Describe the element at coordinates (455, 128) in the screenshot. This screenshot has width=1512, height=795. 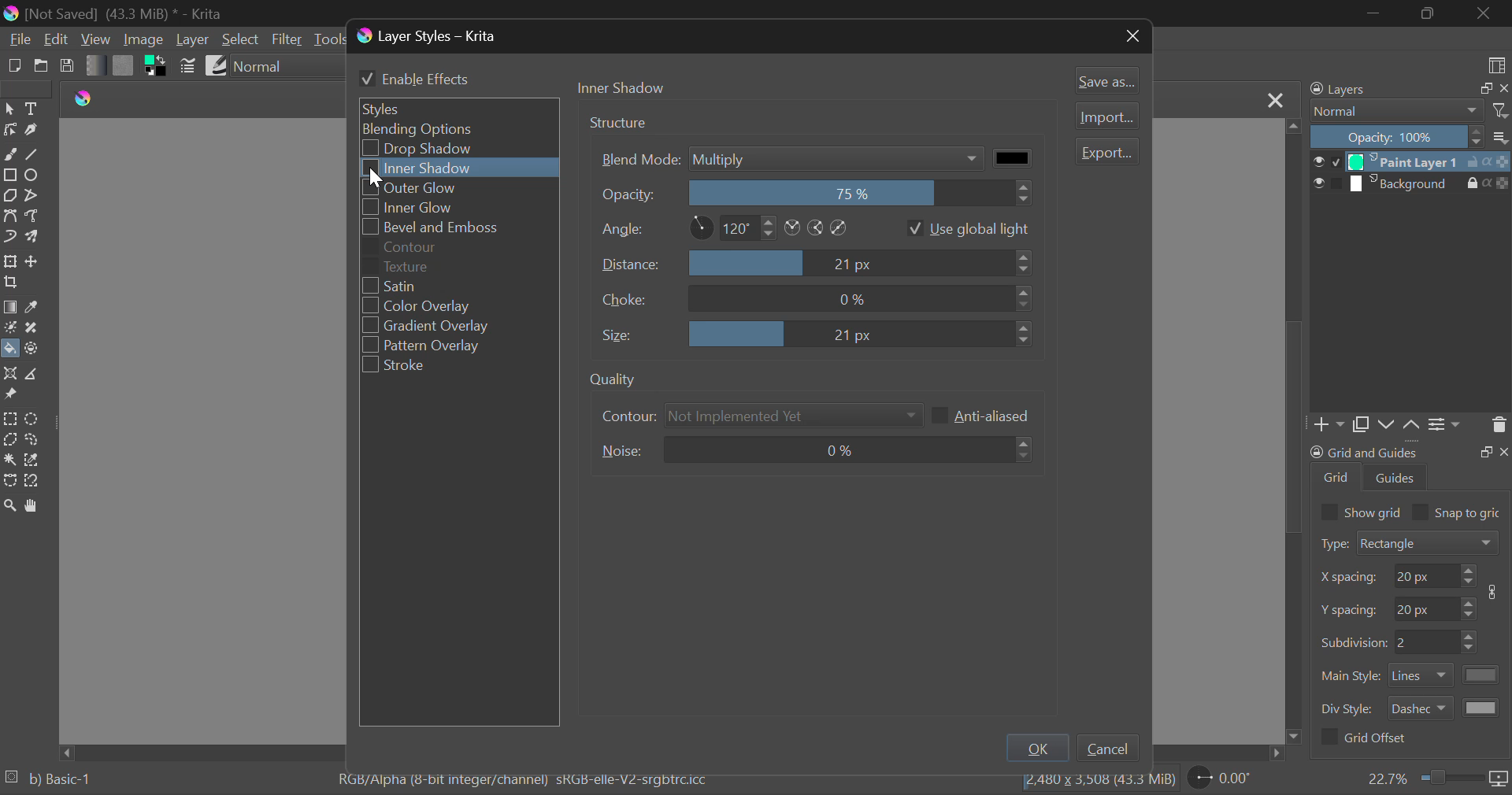
I see `Blending Options` at that location.